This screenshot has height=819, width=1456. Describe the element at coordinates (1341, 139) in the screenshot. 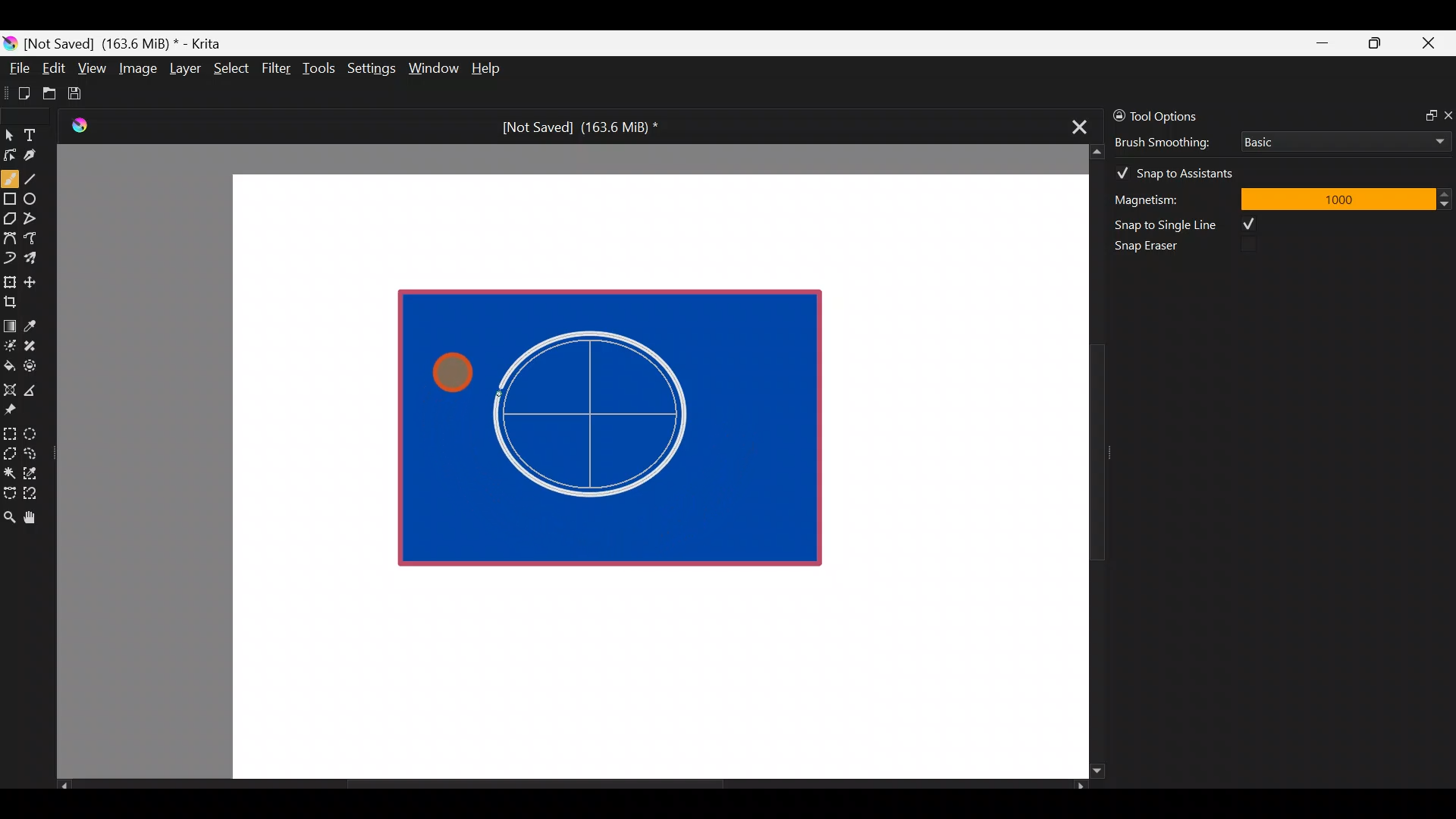

I see `Basic` at that location.